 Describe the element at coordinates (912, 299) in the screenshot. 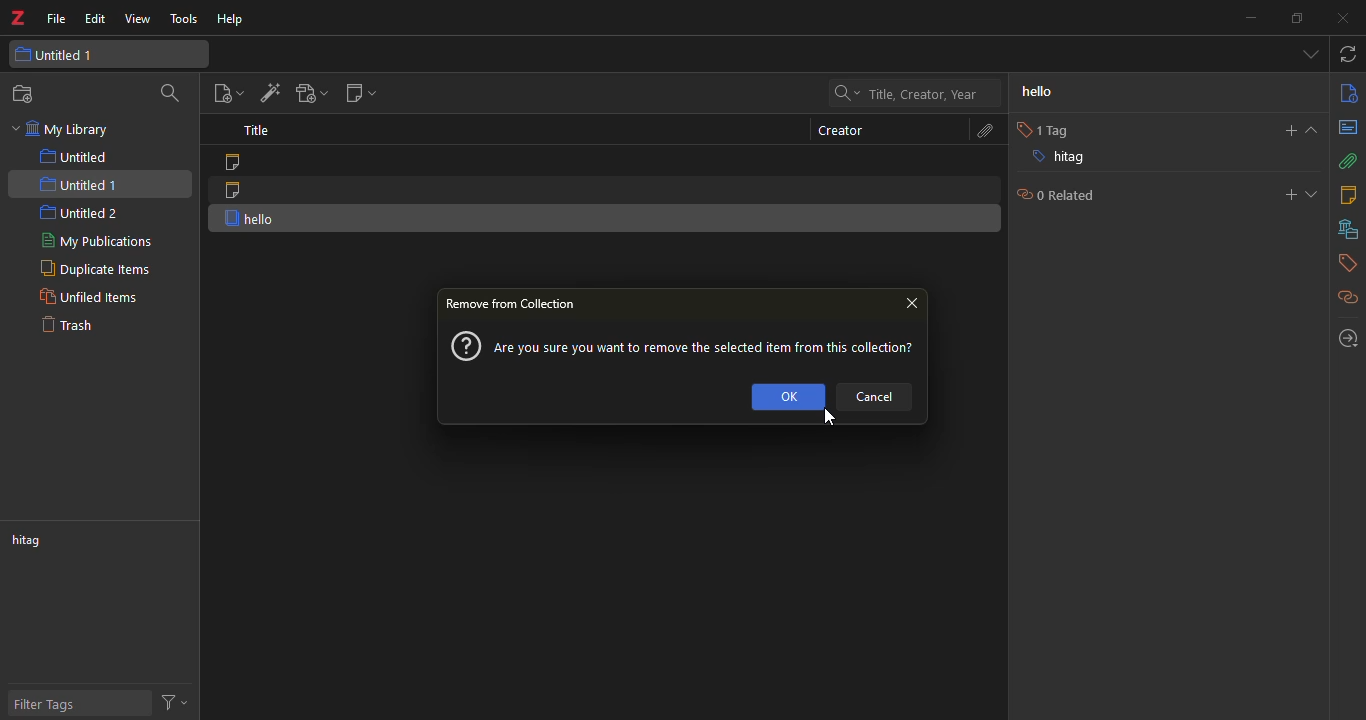

I see `close` at that location.